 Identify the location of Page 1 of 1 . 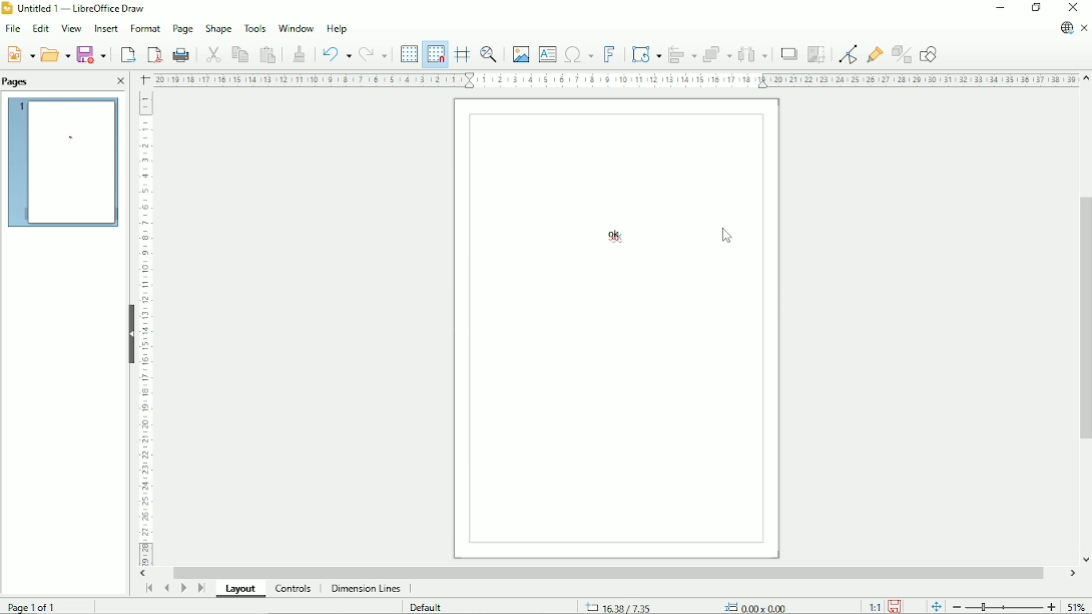
(34, 607).